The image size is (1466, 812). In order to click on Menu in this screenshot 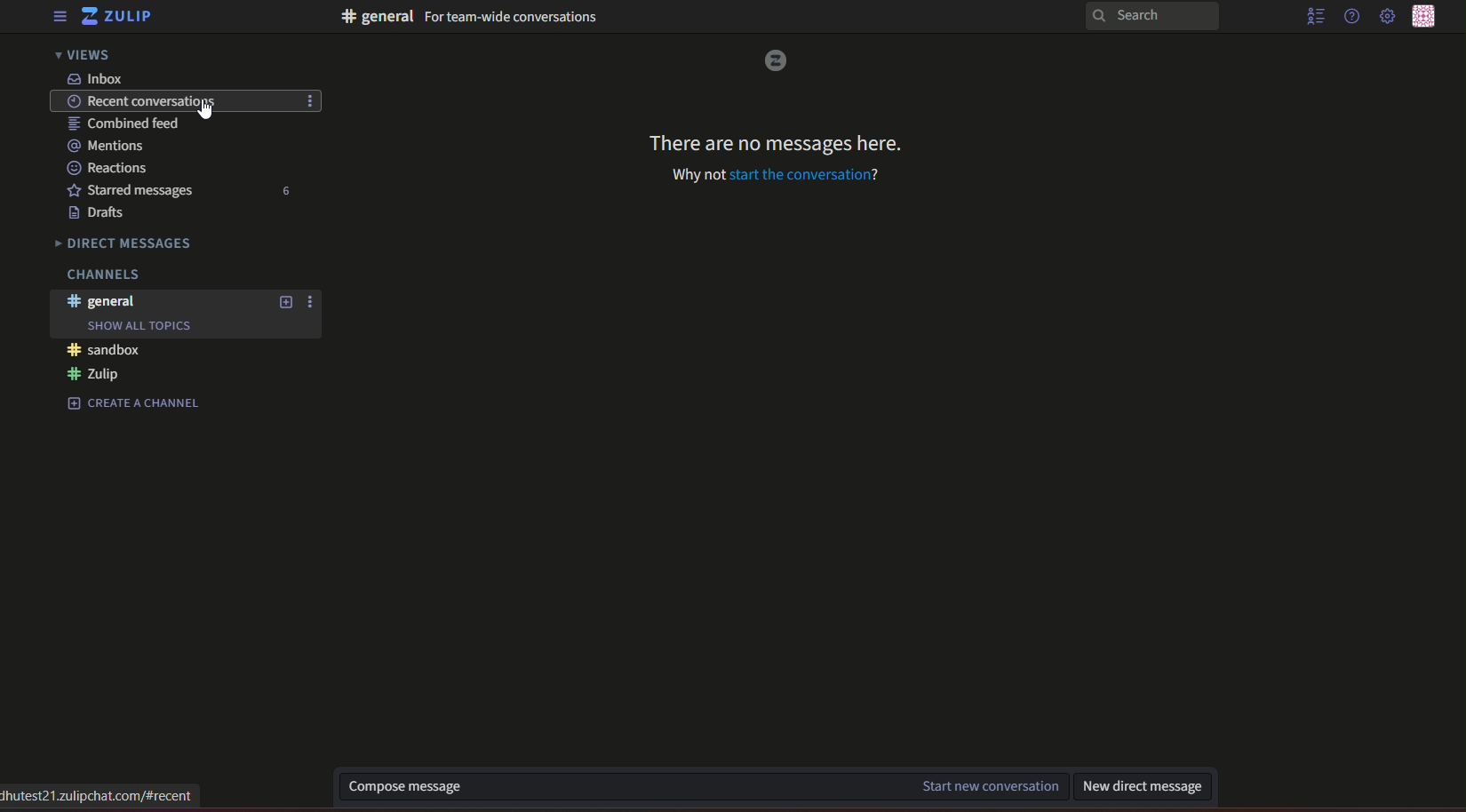, I will do `click(55, 17)`.